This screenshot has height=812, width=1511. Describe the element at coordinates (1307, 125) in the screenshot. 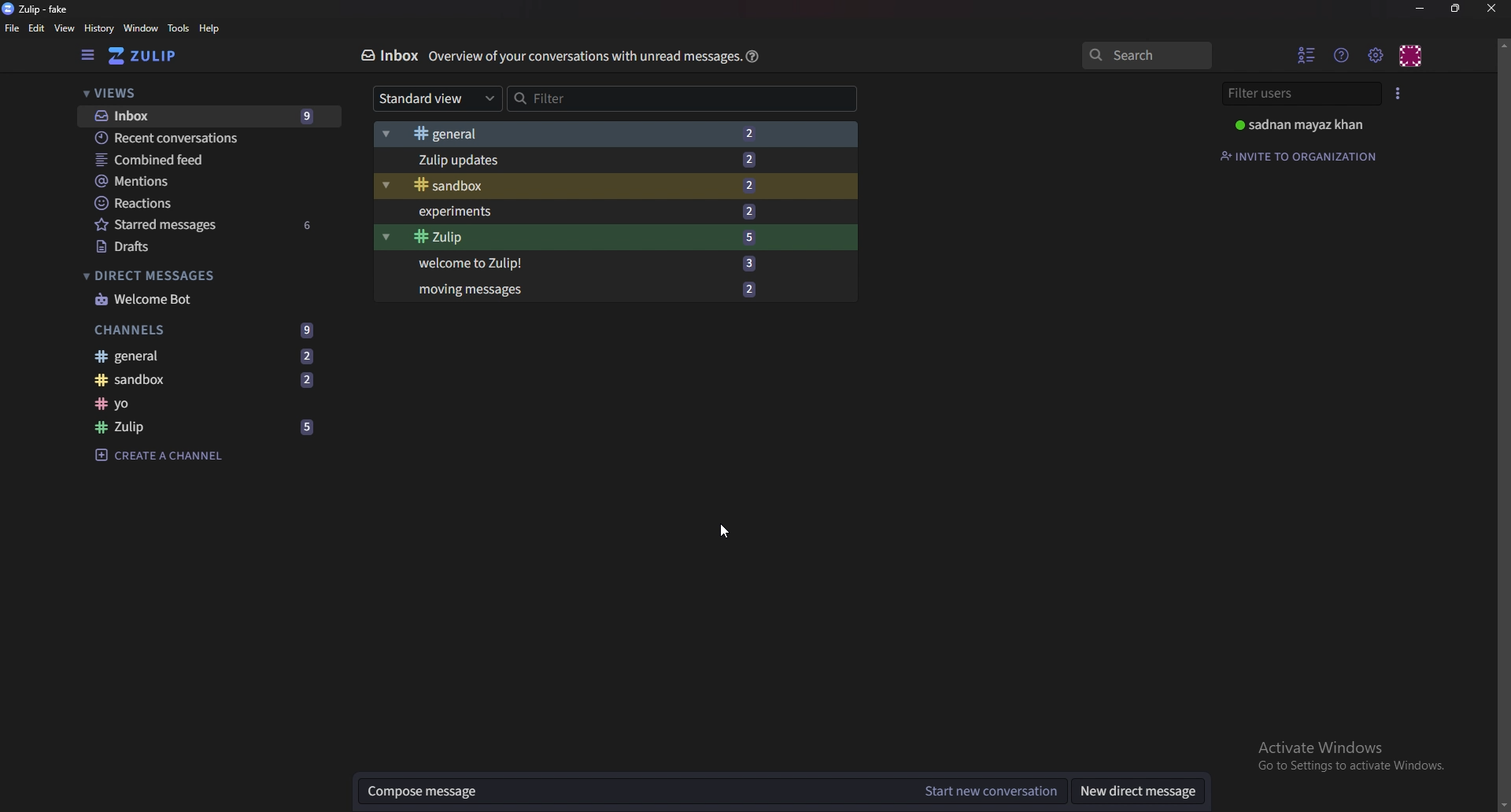

I see `Profile` at that location.